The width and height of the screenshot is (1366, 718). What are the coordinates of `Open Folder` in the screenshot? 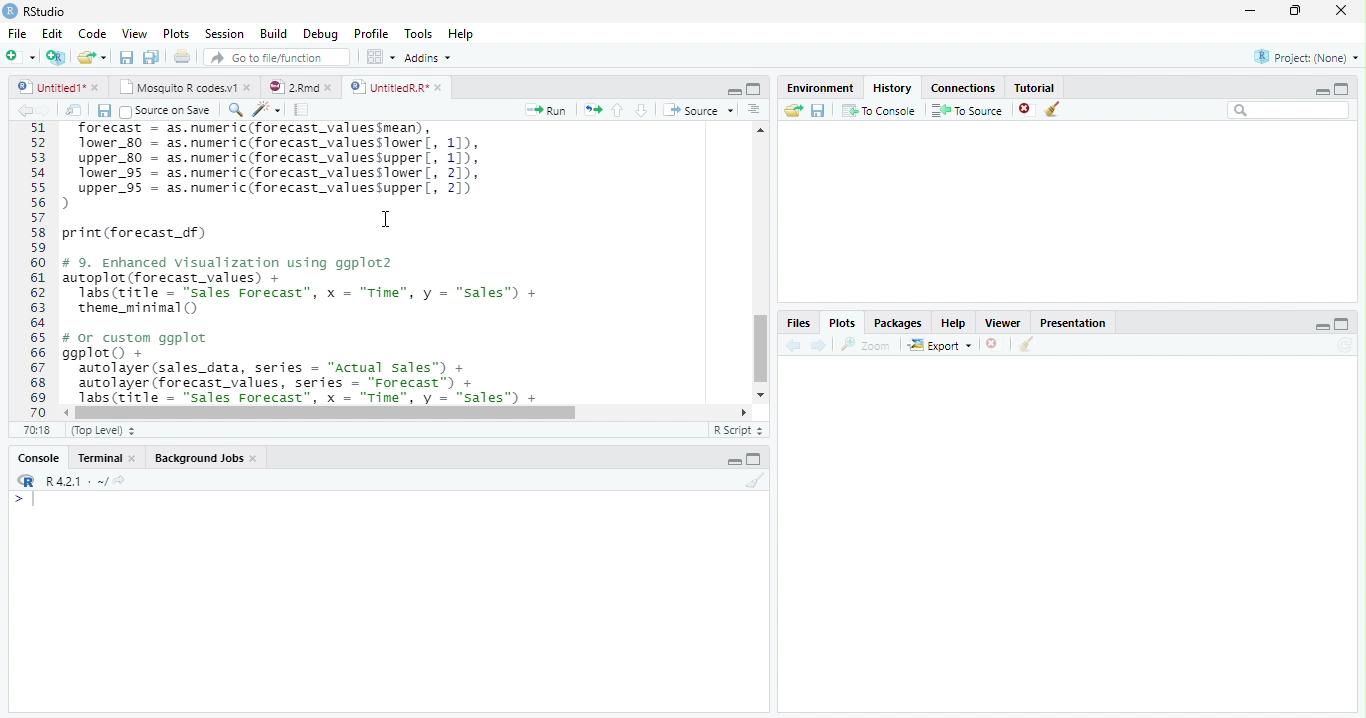 It's located at (93, 55).